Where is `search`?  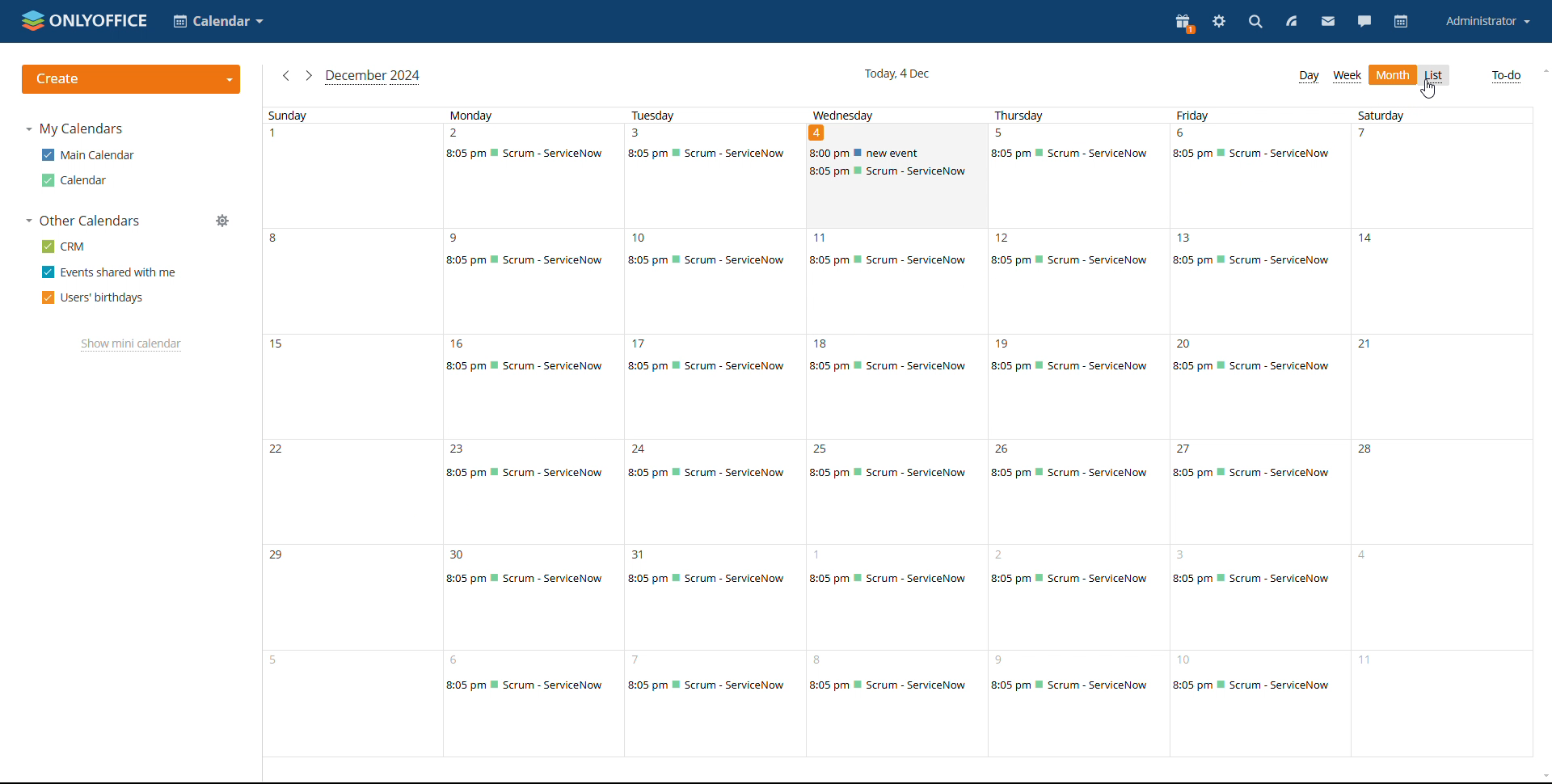 search is located at coordinates (1255, 23).